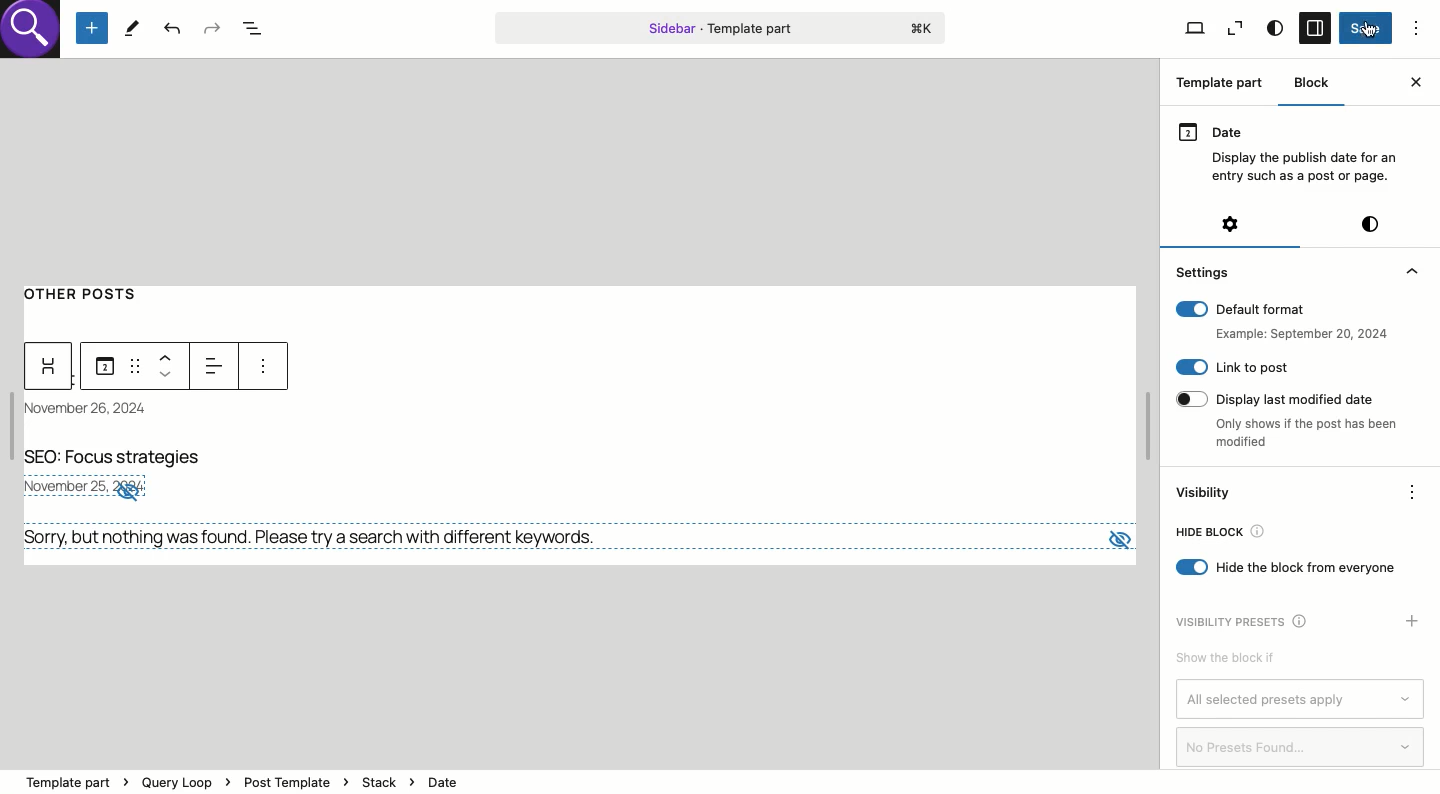  What do you see at coordinates (170, 365) in the screenshot?
I see `Move up down` at bounding box center [170, 365].